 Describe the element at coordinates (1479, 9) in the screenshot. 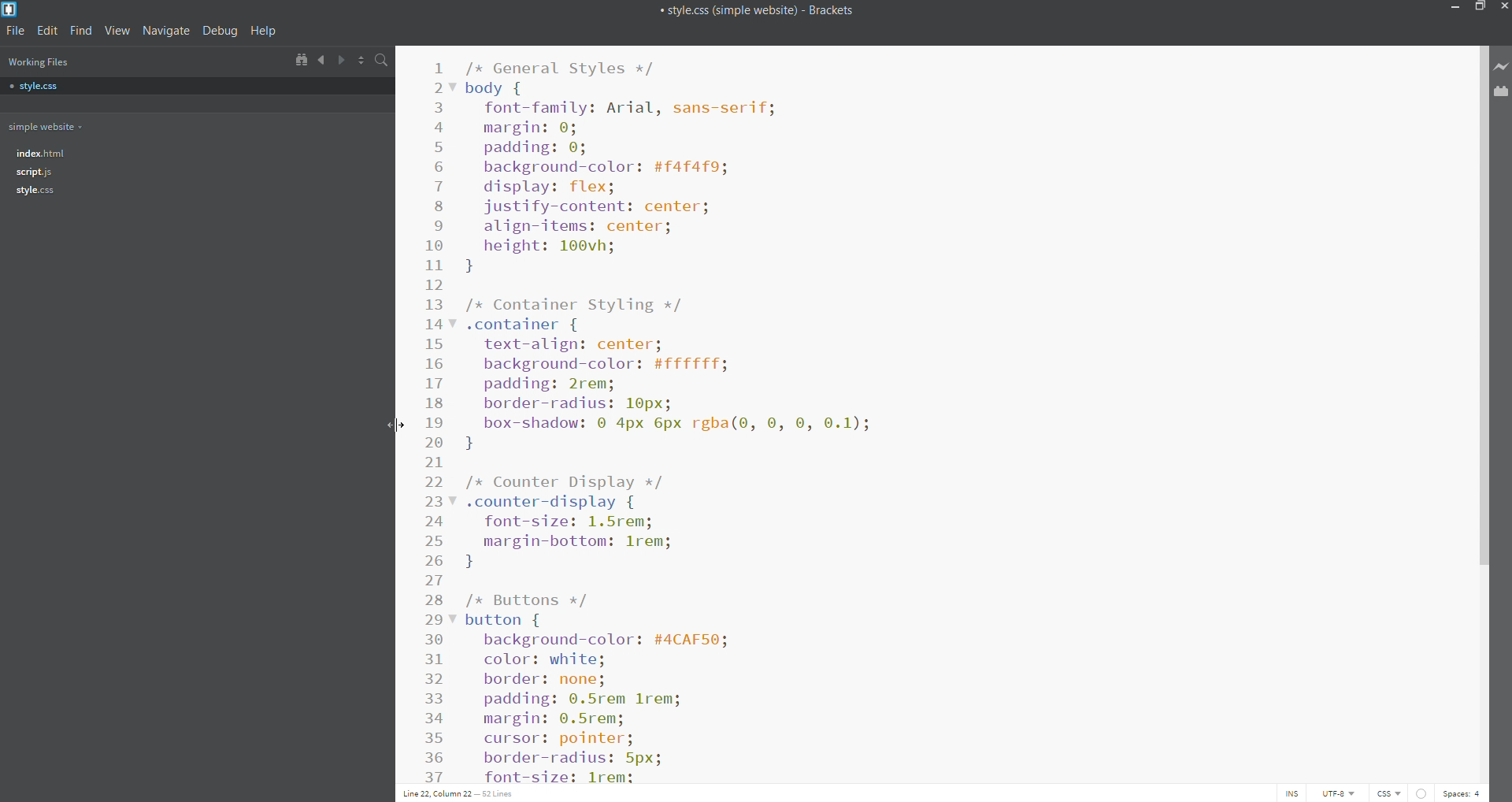

I see `maximize/restore` at that location.